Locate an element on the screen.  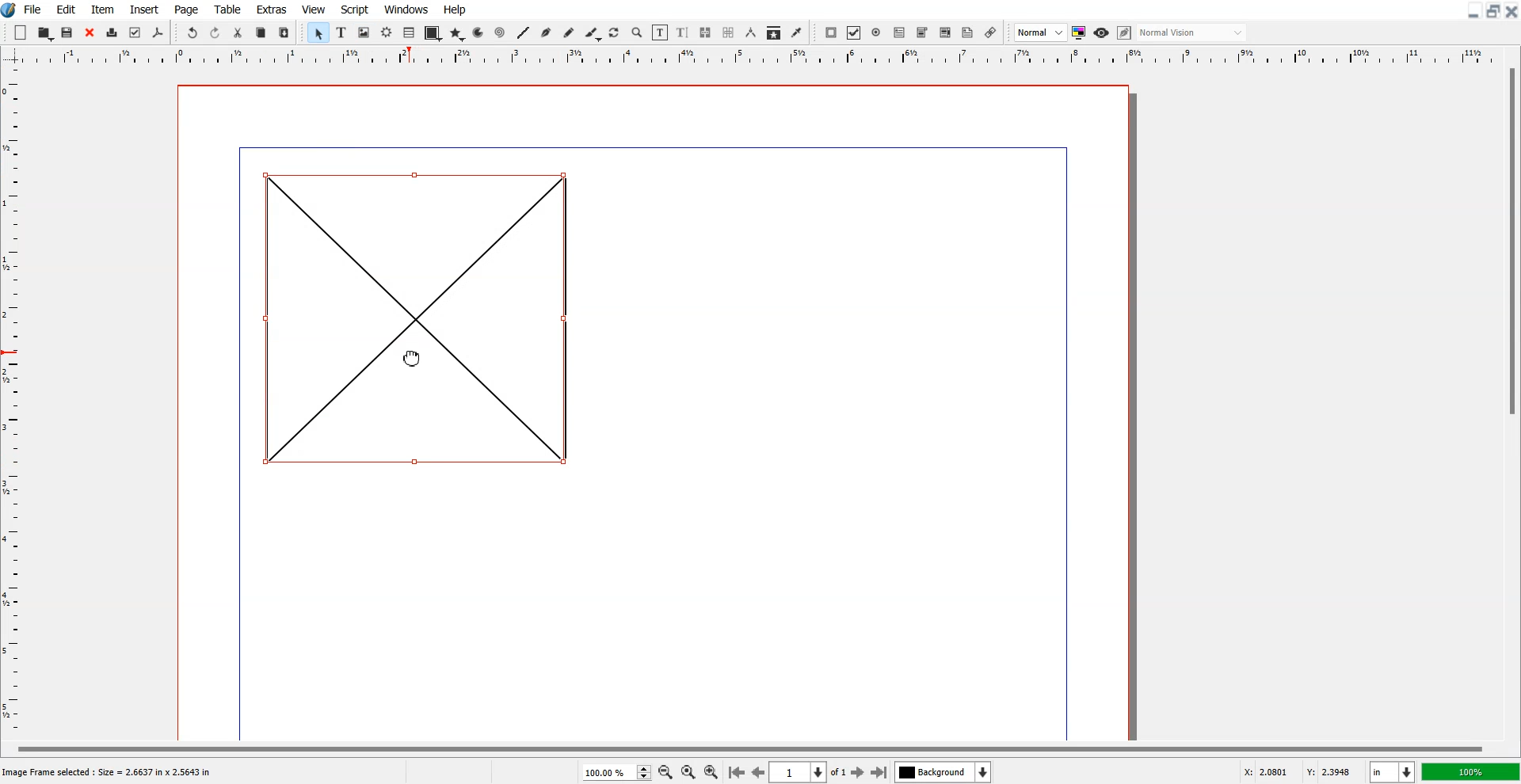
PDF Check Box is located at coordinates (854, 32).